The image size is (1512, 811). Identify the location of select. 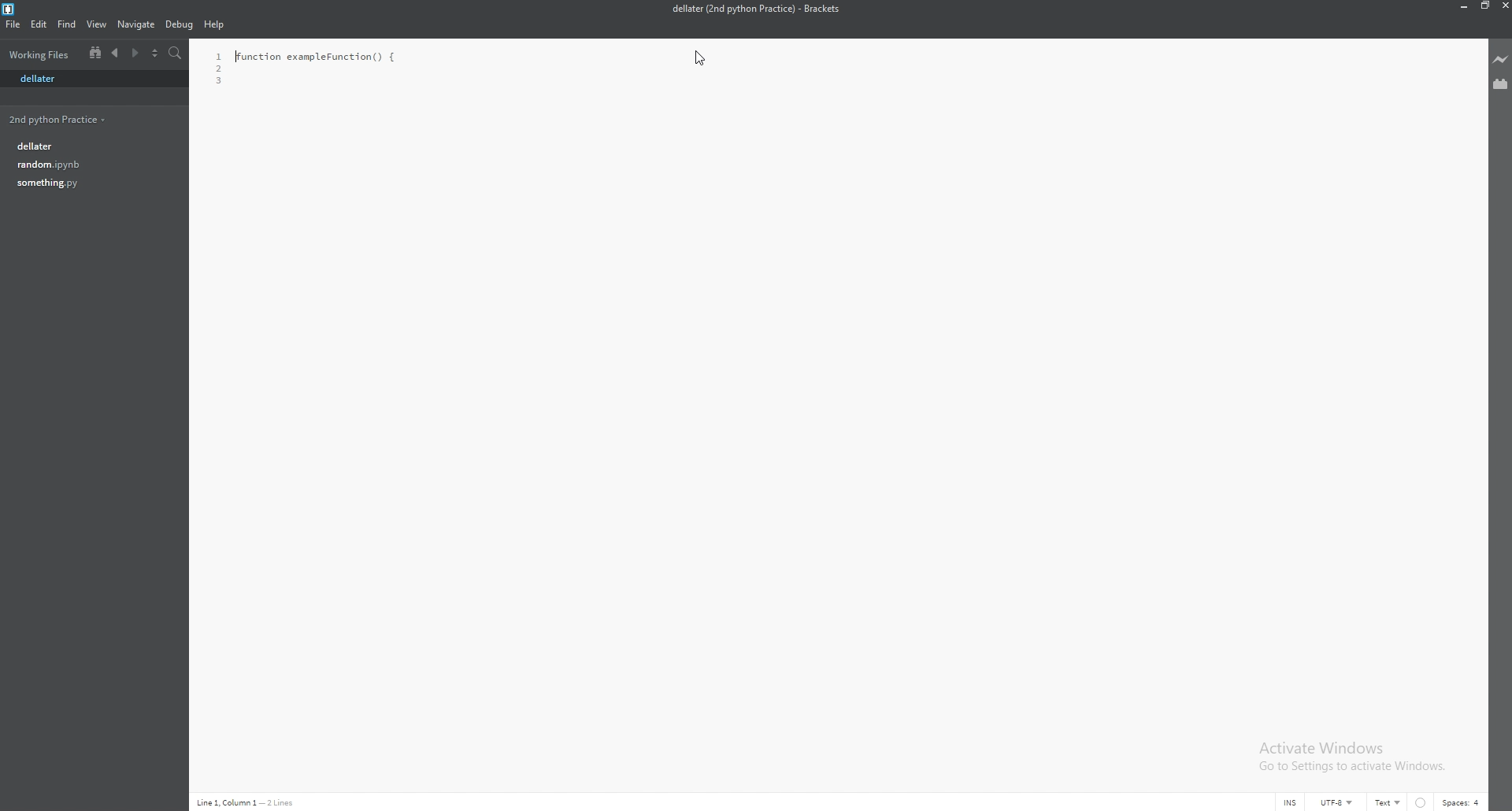
(154, 54).